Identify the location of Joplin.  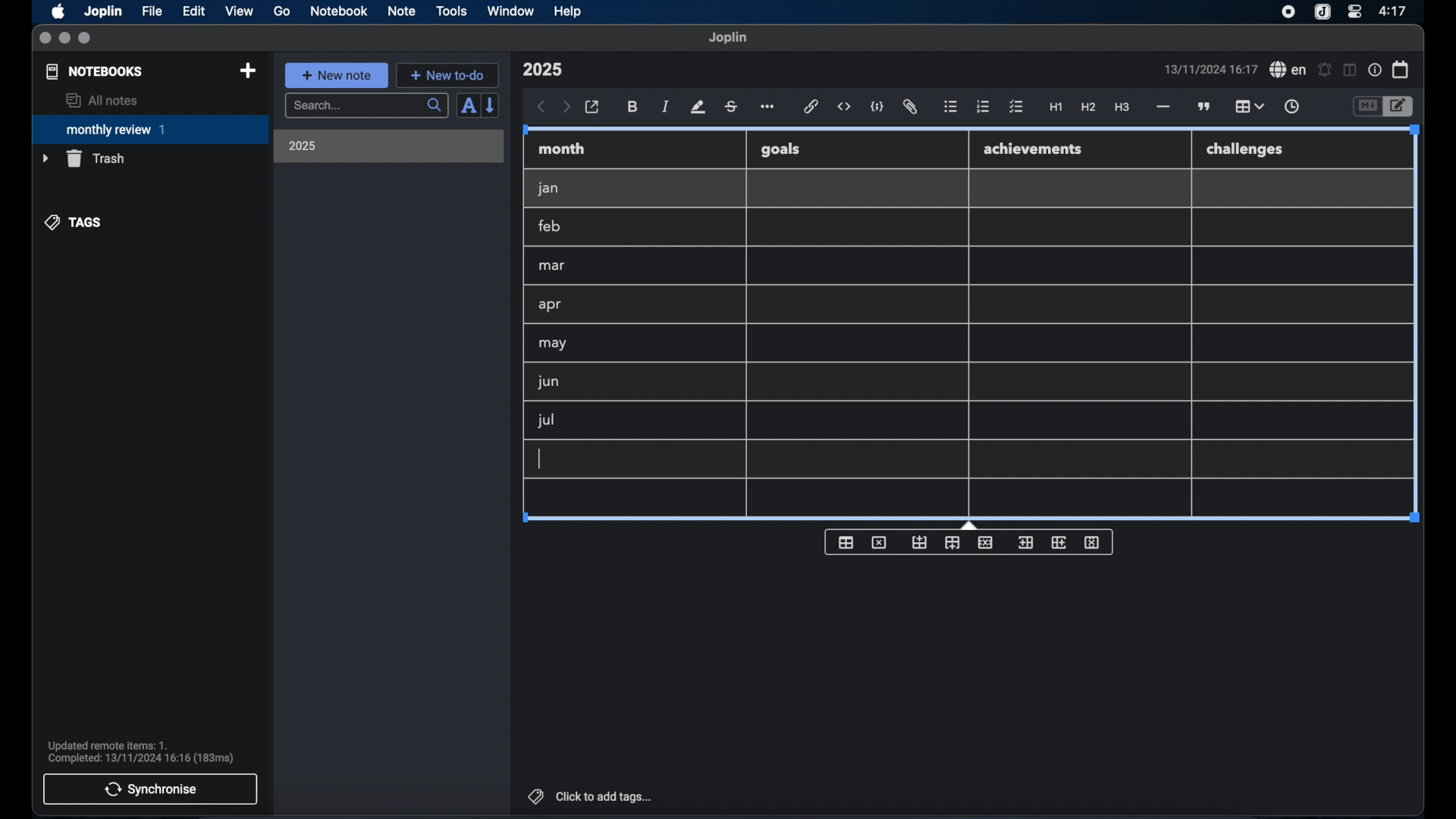
(105, 12).